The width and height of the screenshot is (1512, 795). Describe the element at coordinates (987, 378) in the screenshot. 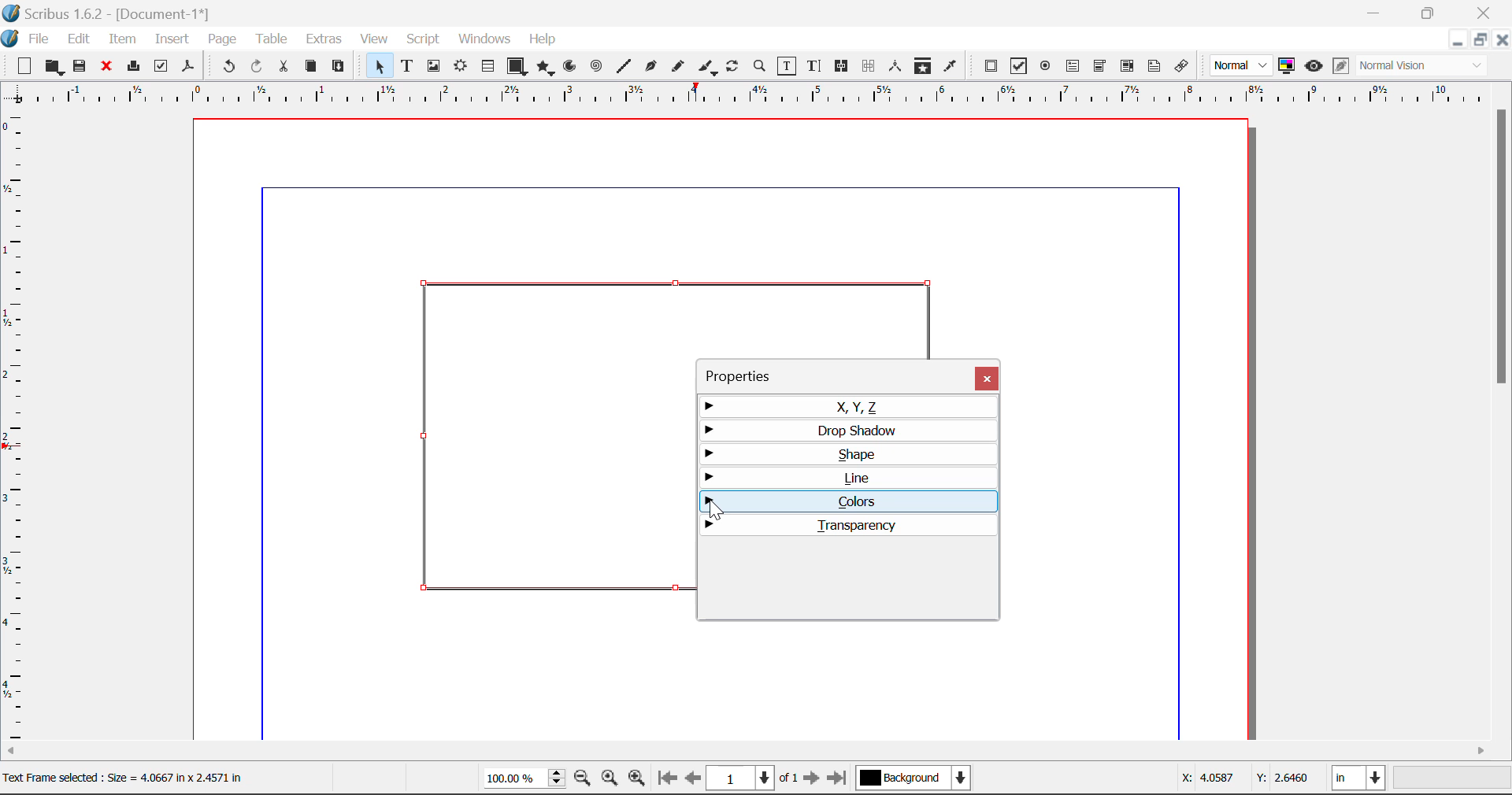

I see `Close` at that location.